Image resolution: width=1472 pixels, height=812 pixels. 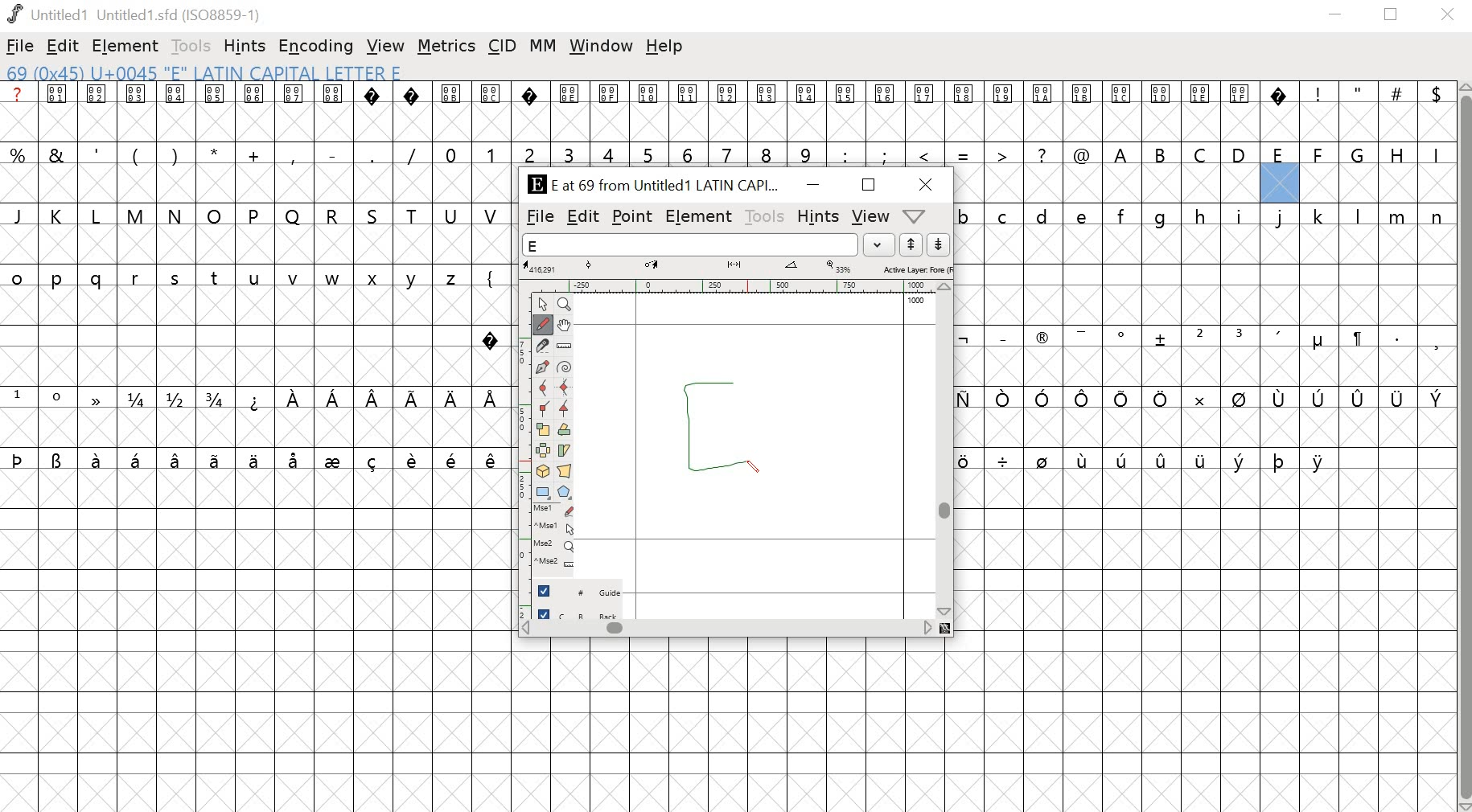 What do you see at coordinates (1202, 182) in the screenshot?
I see `empty cells` at bounding box center [1202, 182].